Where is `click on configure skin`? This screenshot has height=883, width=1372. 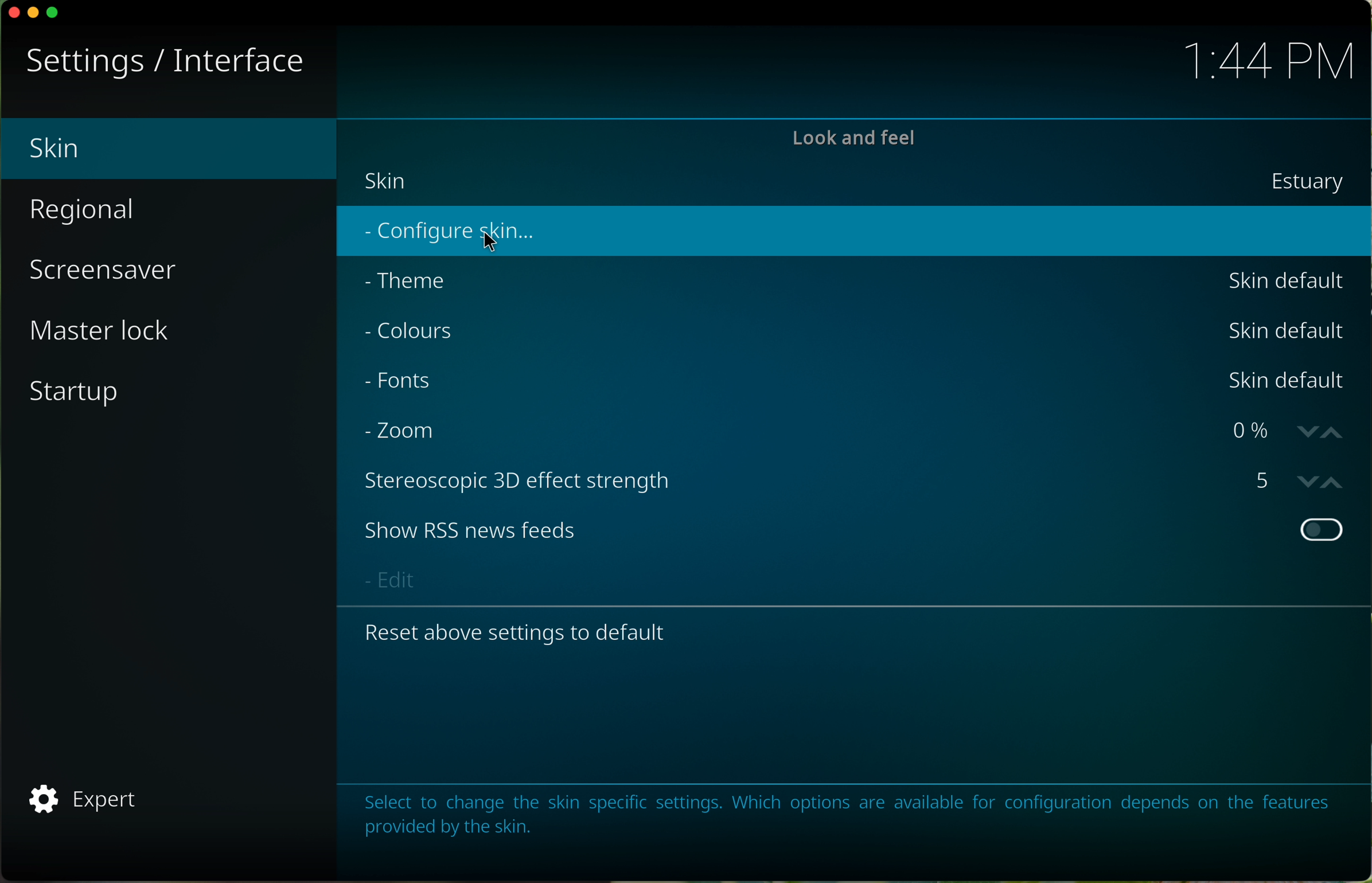
click on configure skin is located at coordinates (451, 234).